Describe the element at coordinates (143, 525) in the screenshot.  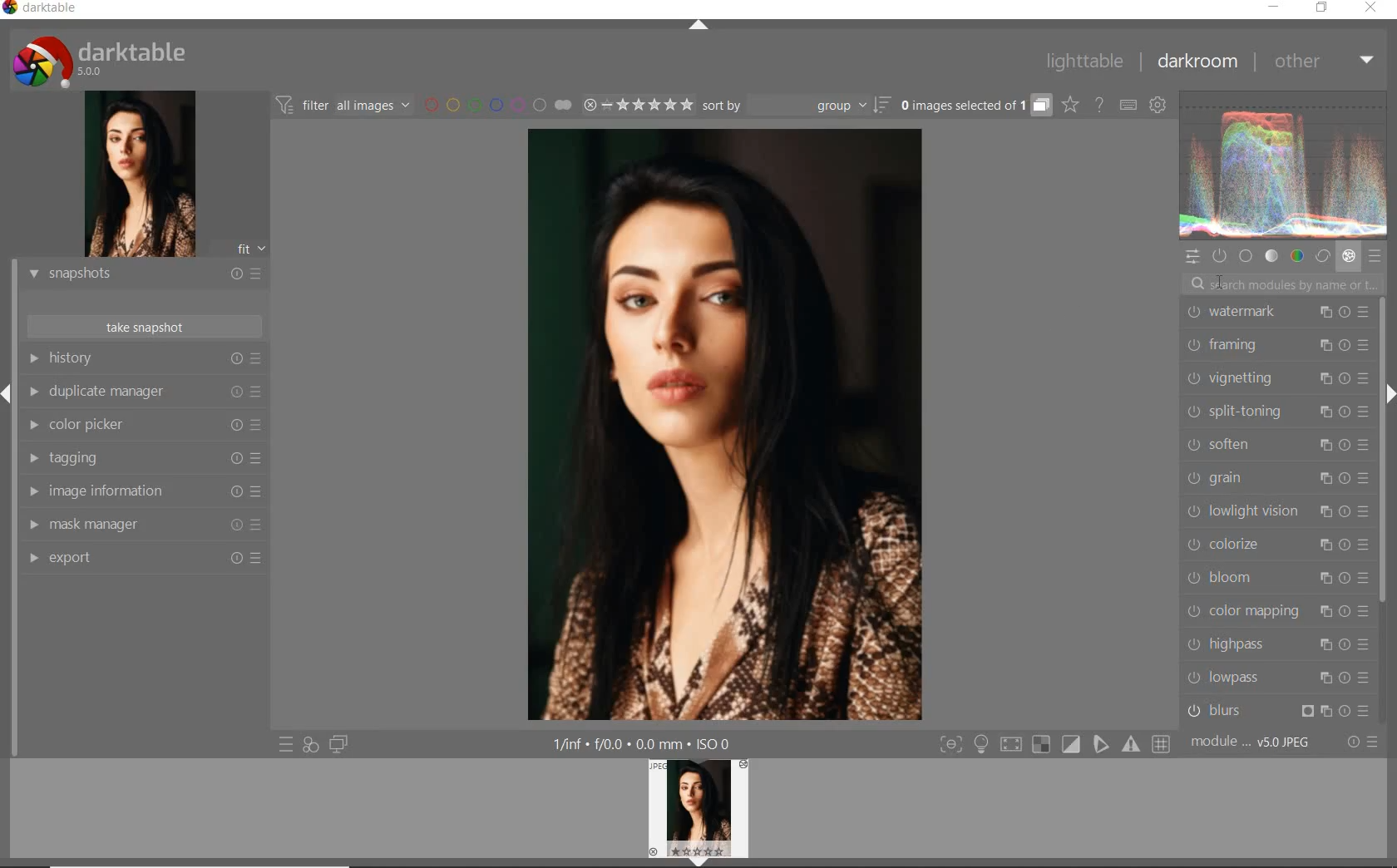
I see `mask manager` at that location.